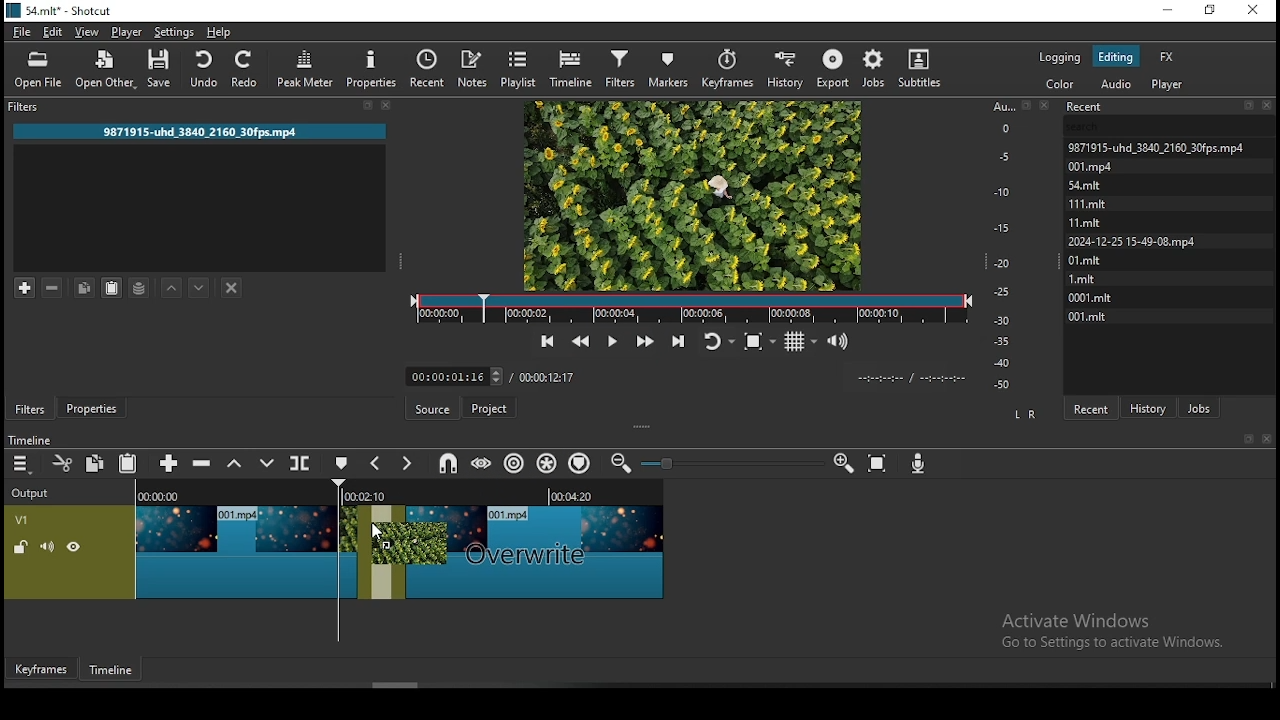 The width and height of the screenshot is (1280, 720). Describe the element at coordinates (1211, 13) in the screenshot. I see `restore` at that location.